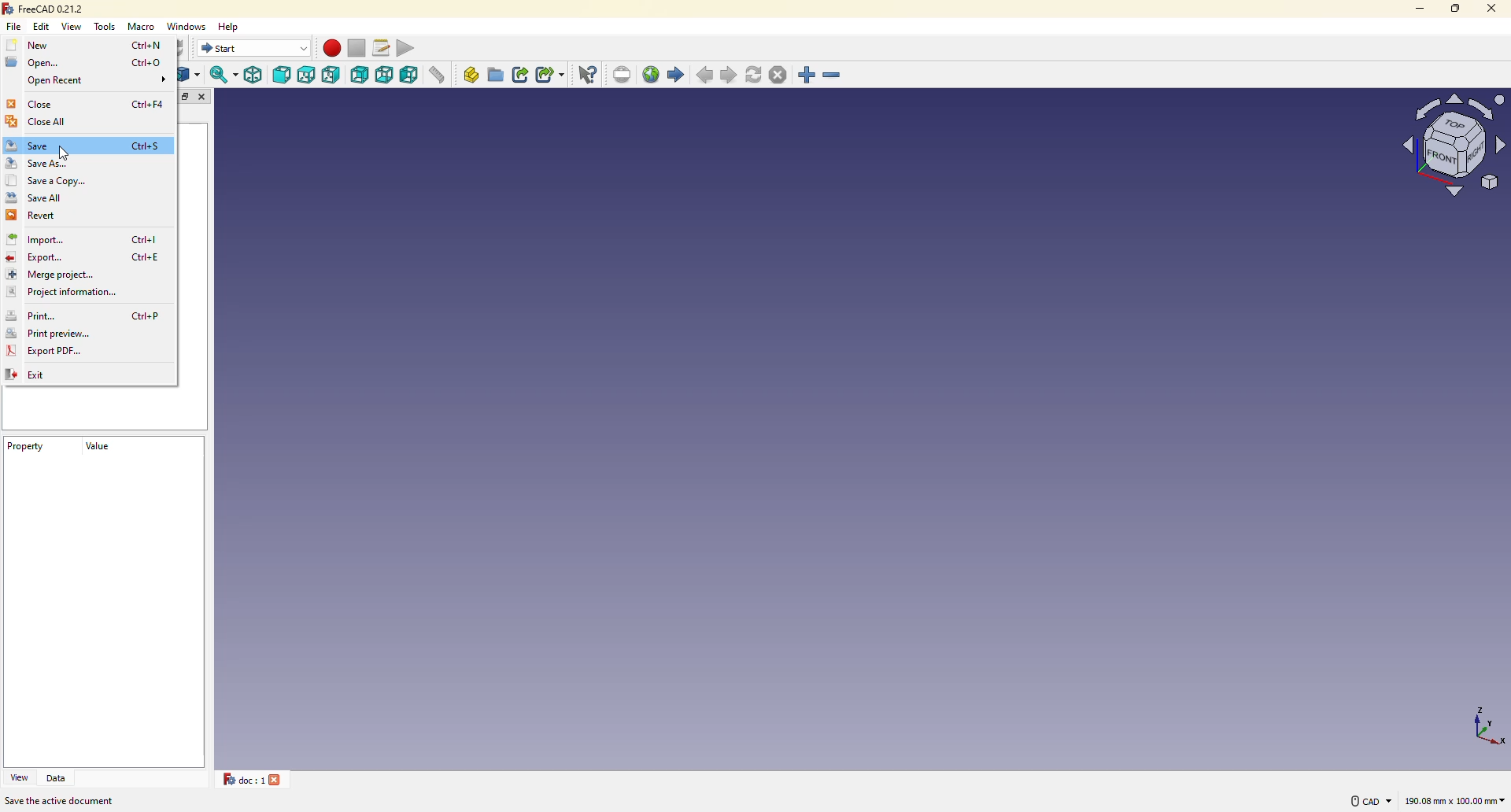 The image size is (1511, 812). What do you see at coordinates (205, 98) in the screenshot?
I see `close` at bounding box center [205, 98].